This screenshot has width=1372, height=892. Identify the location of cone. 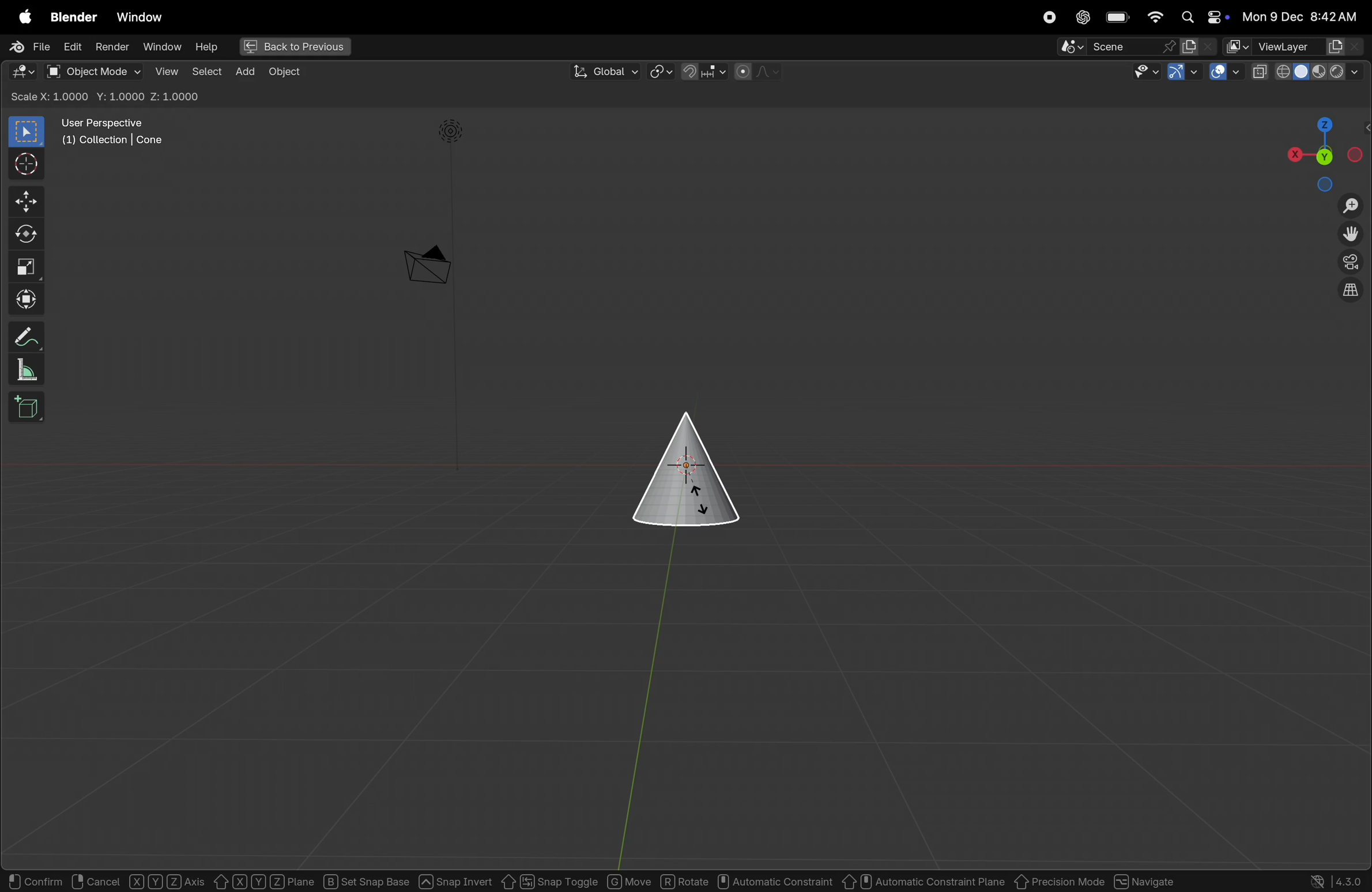
(685, 470).